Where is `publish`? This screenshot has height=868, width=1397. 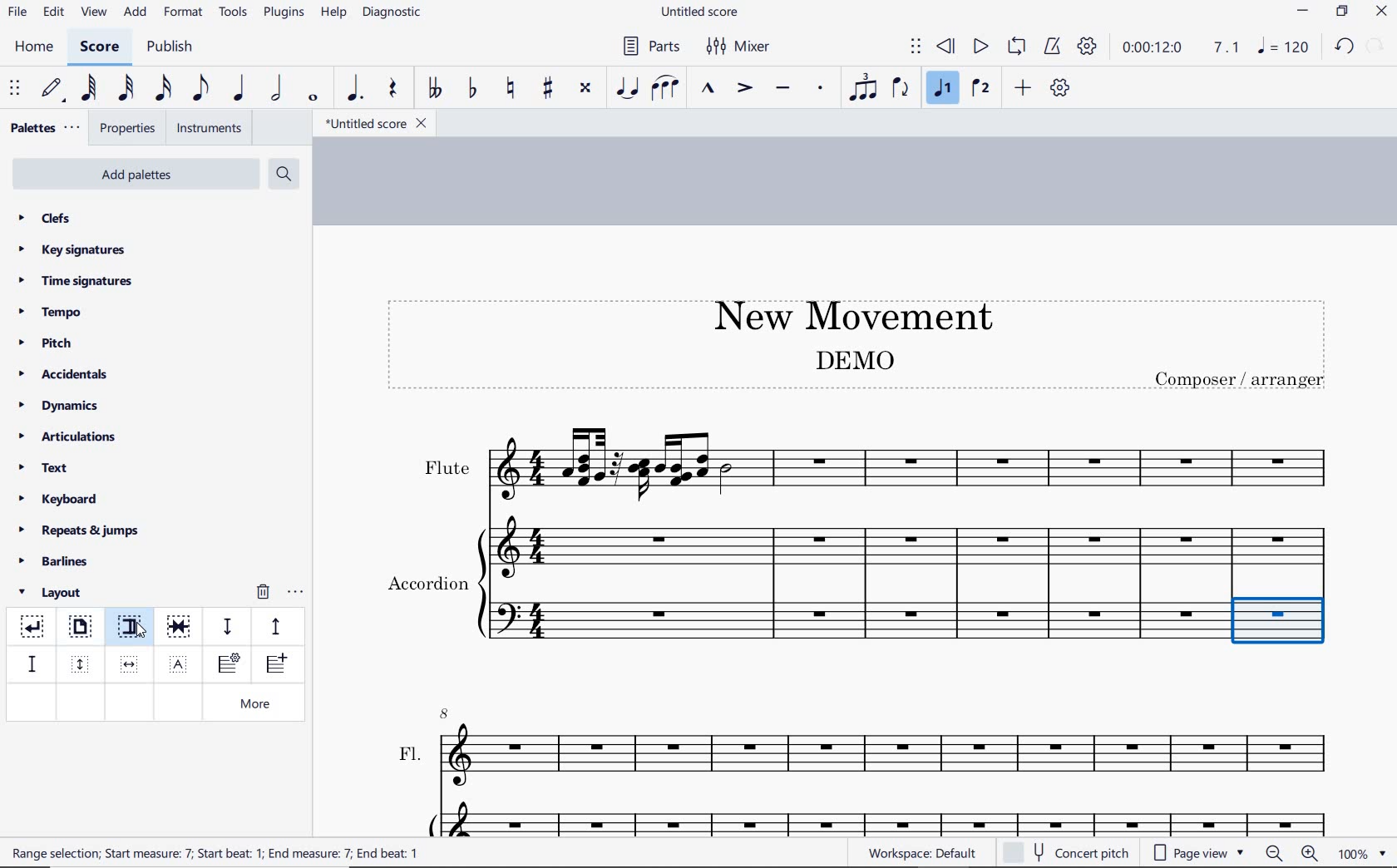
publish is located at coordinates (168, 48).